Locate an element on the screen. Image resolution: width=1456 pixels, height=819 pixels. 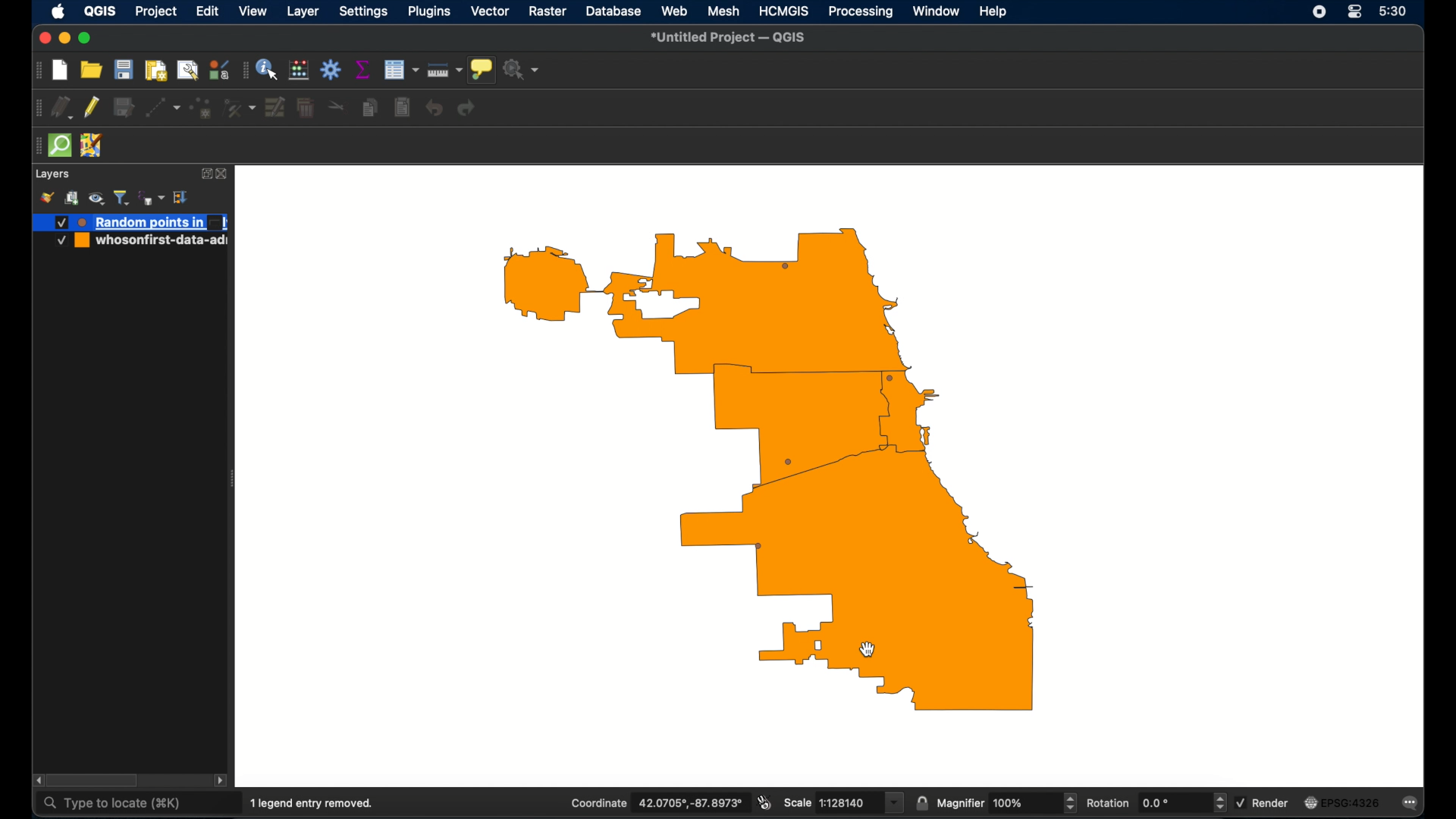
raster is located at coordinates (547, 11).